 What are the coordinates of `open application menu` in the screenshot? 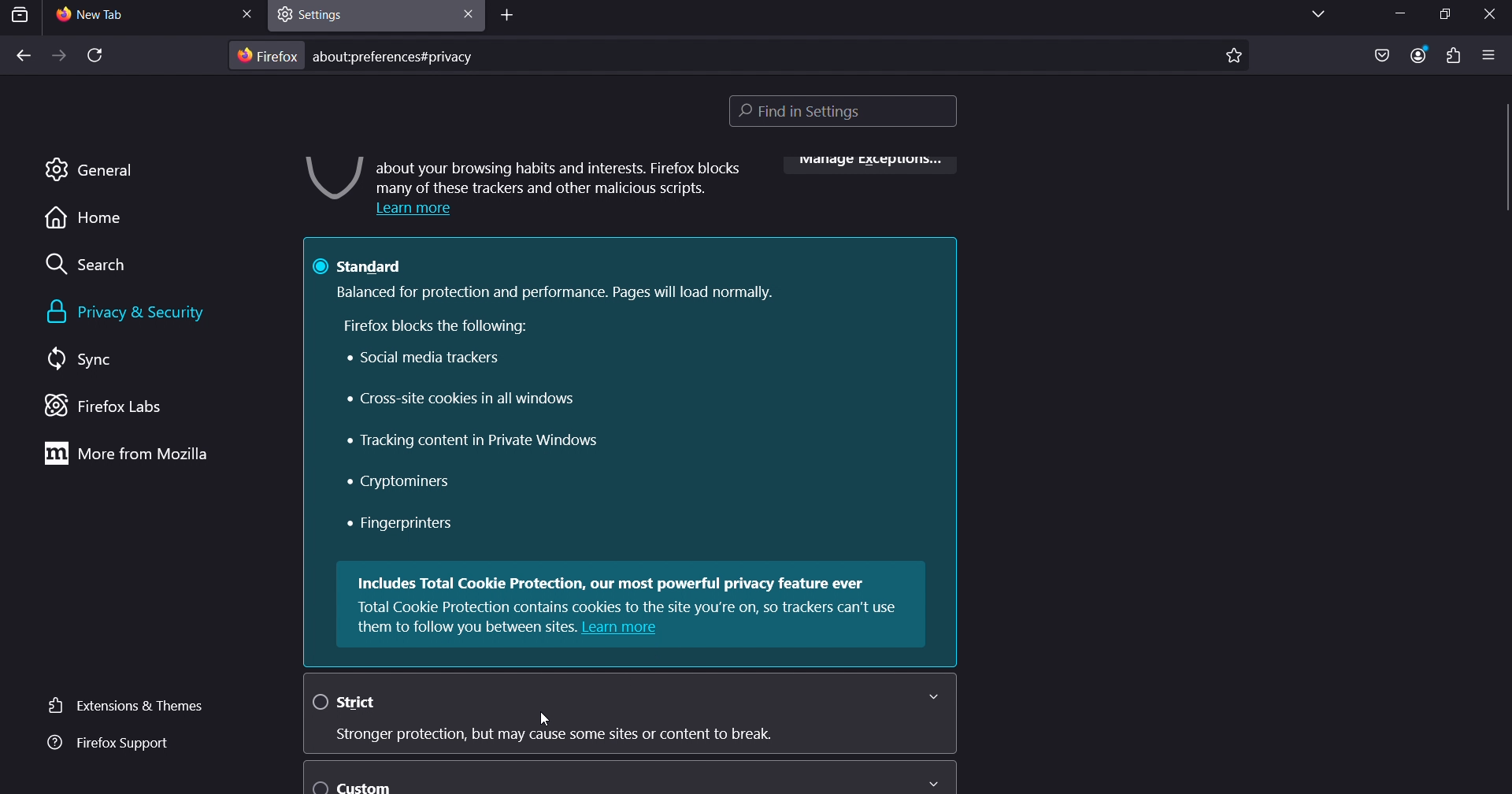 It's located at (1489, 55).